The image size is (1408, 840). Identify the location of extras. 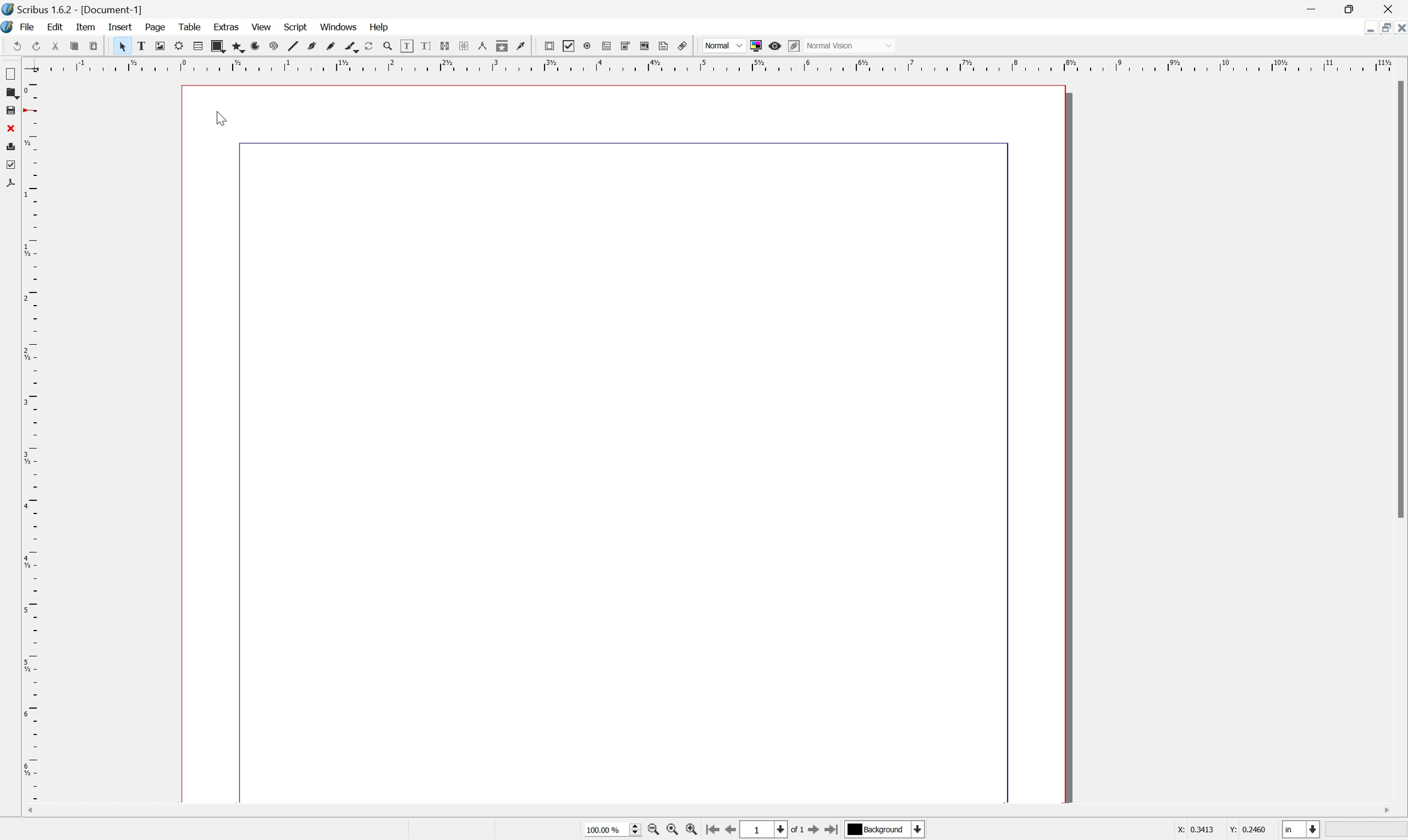
(226, 27).